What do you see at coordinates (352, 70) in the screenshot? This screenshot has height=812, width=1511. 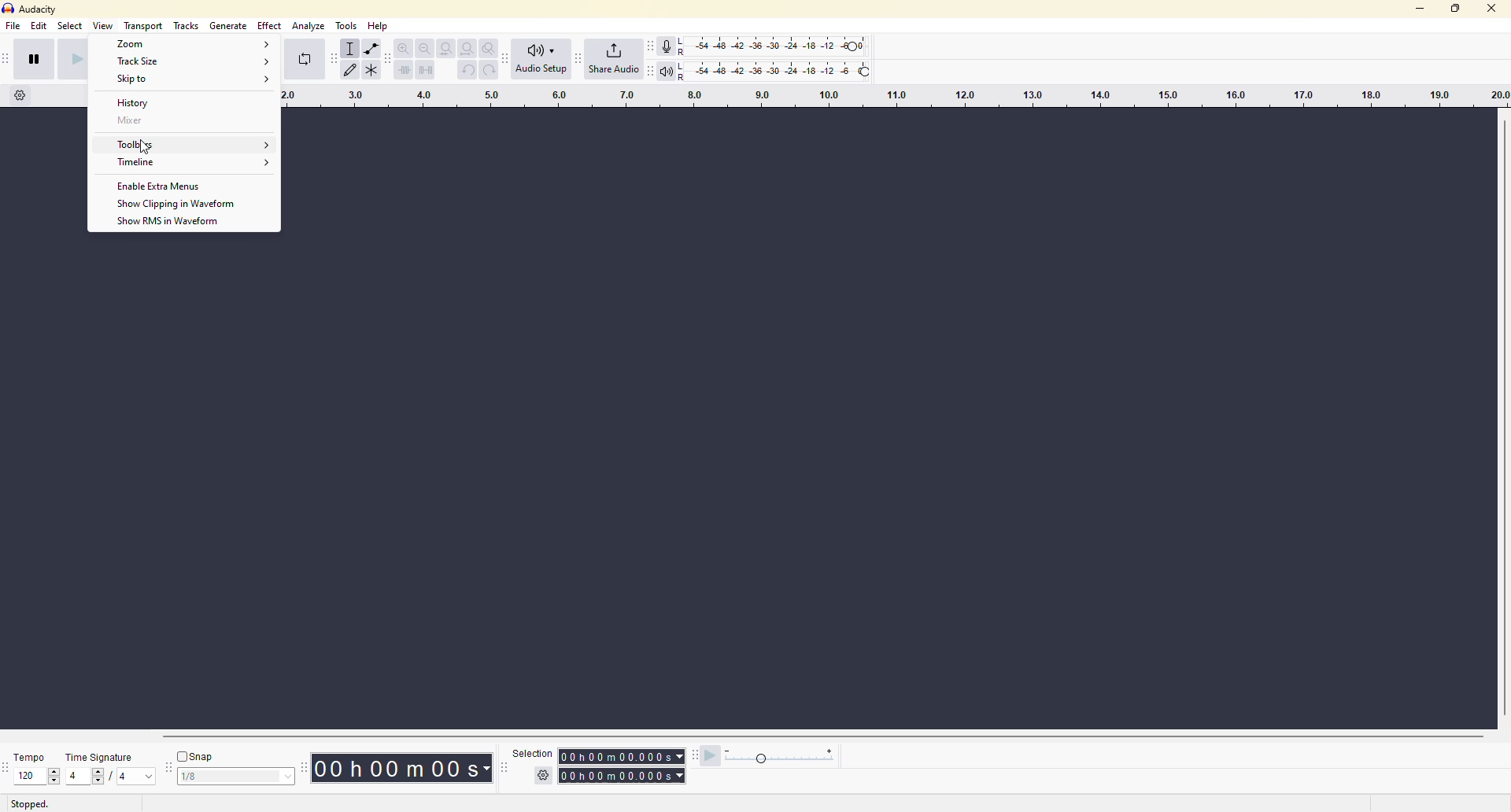 I see `draw tool` at bounding box center [352, 70].